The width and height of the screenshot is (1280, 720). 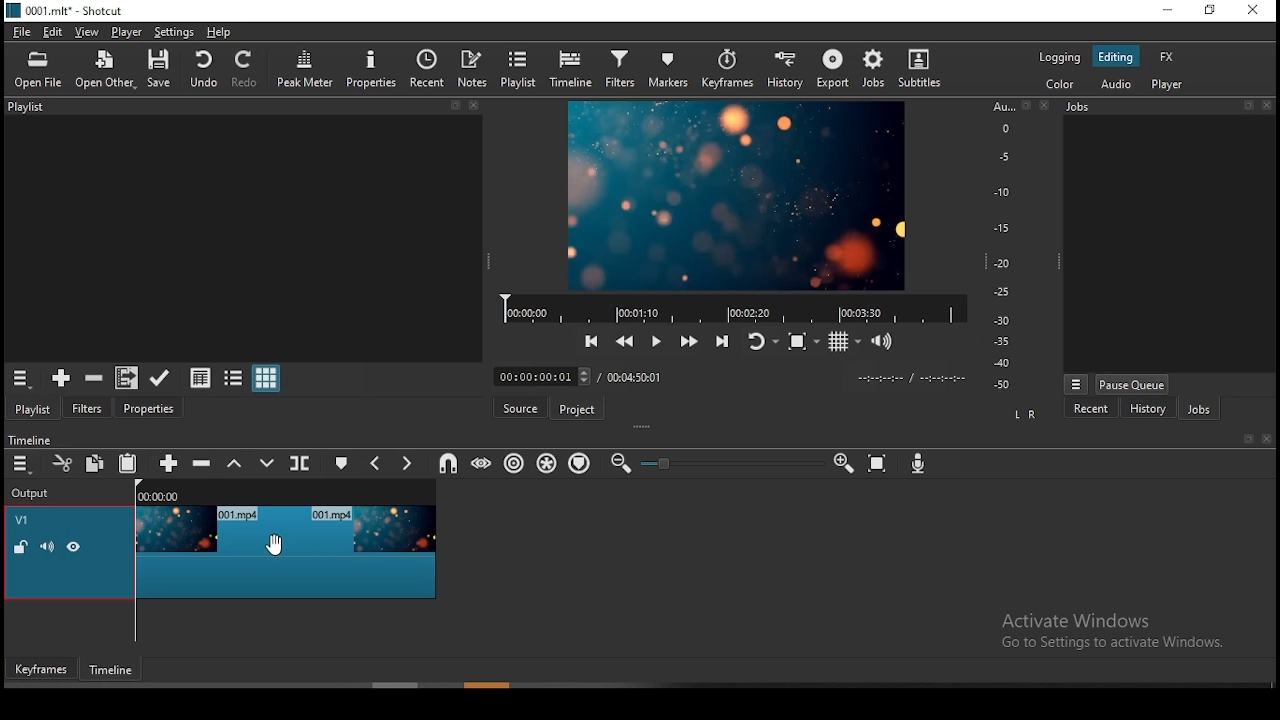 I want to click on toggle grid display on the player, so click(x=842, y=343).